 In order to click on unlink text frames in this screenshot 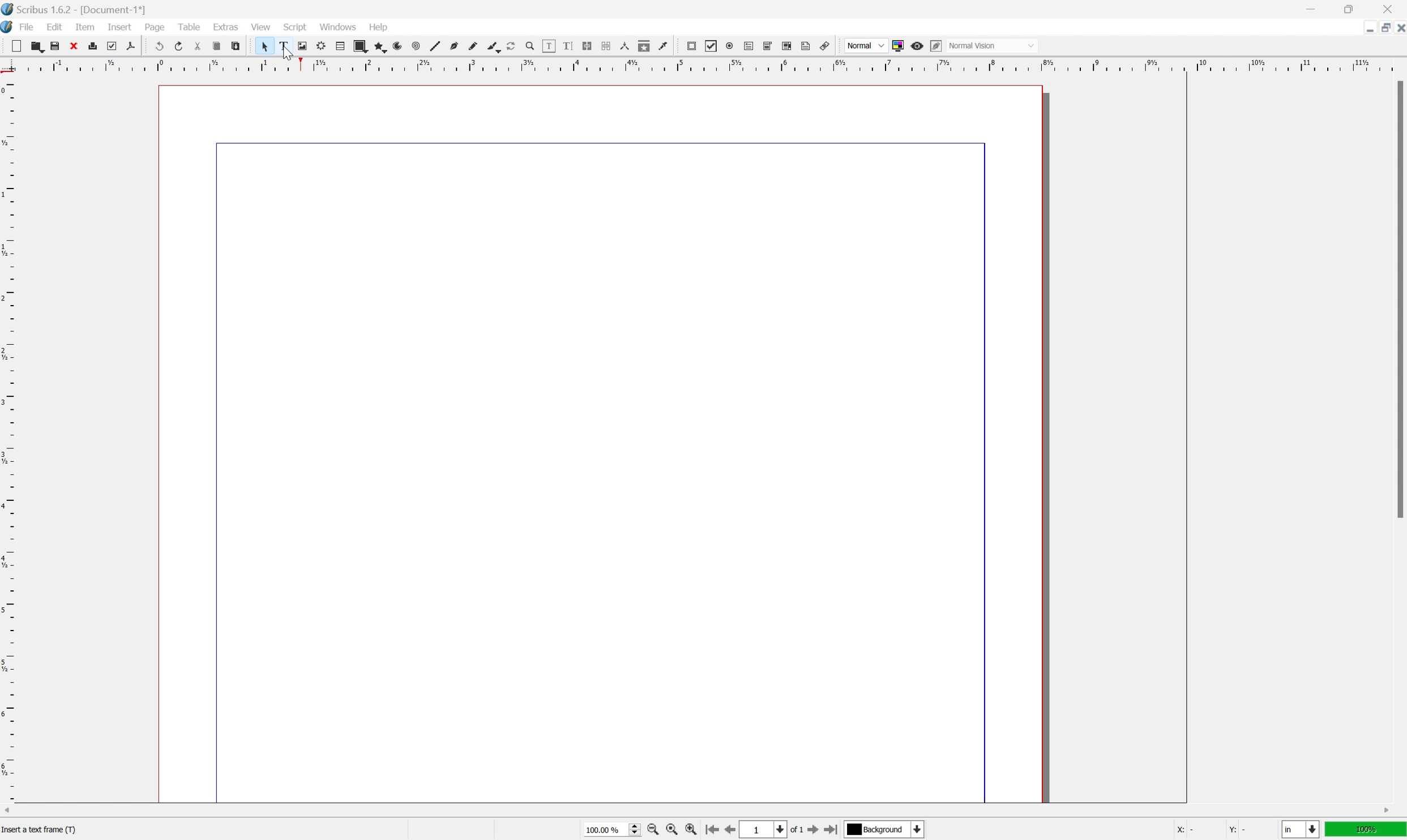, I will do `click(605, 45)`.